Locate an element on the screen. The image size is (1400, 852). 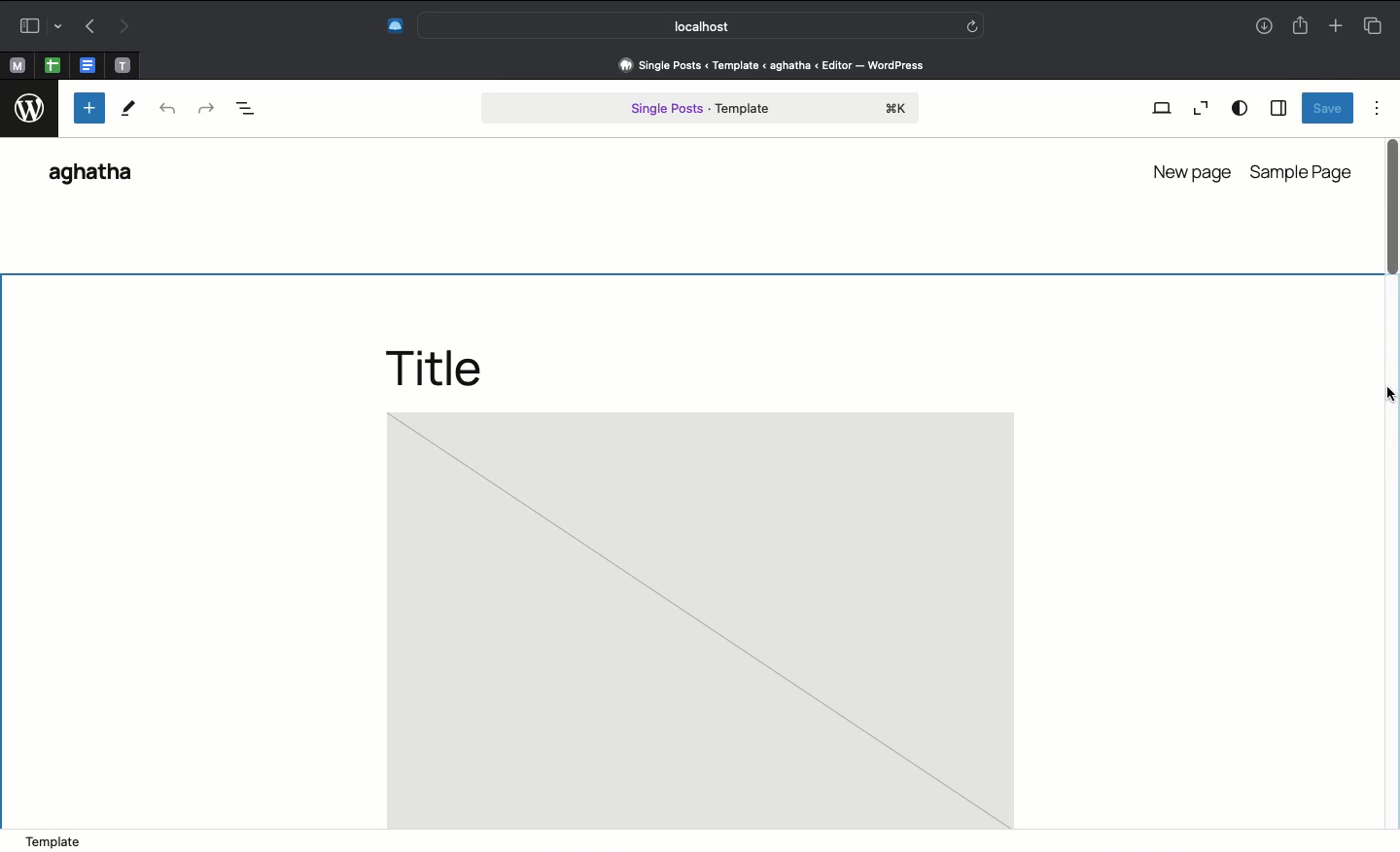
Undo is located at coordinates (167, 110).